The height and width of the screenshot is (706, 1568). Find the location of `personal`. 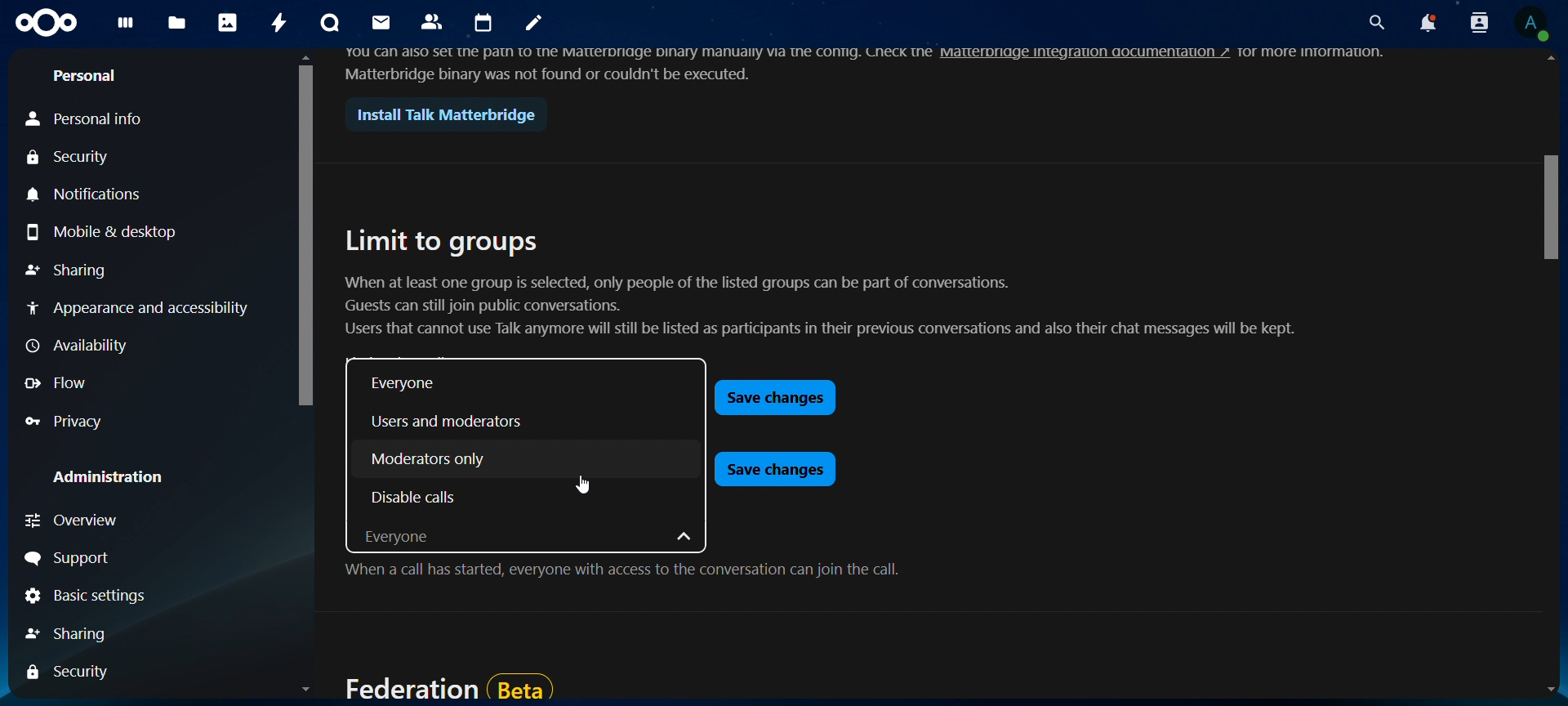

personal is located at coordinates (87, 75).